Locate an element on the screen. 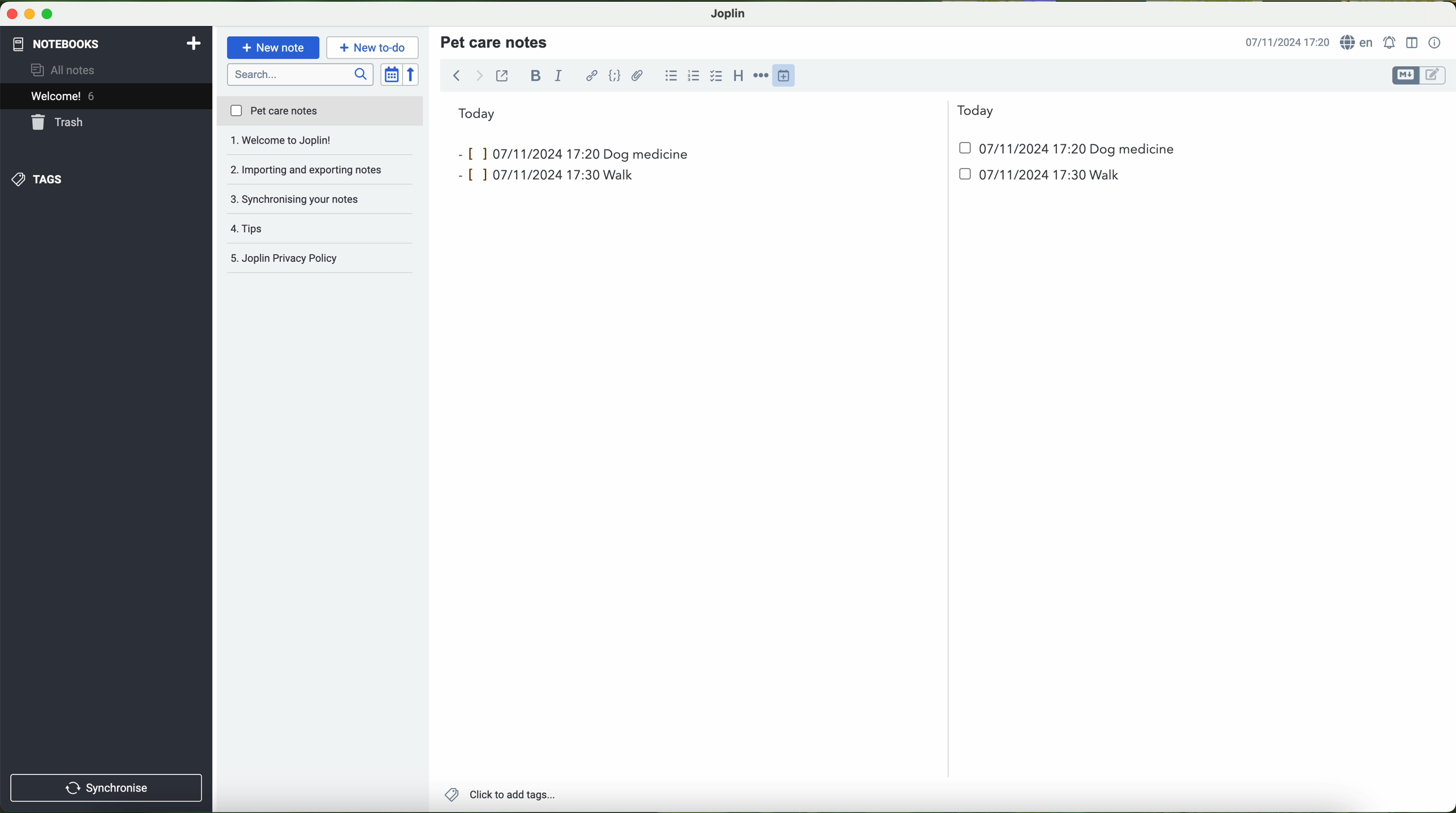 This screenshot has height=813, width=1456. bold is located at coordinates (536, 75).